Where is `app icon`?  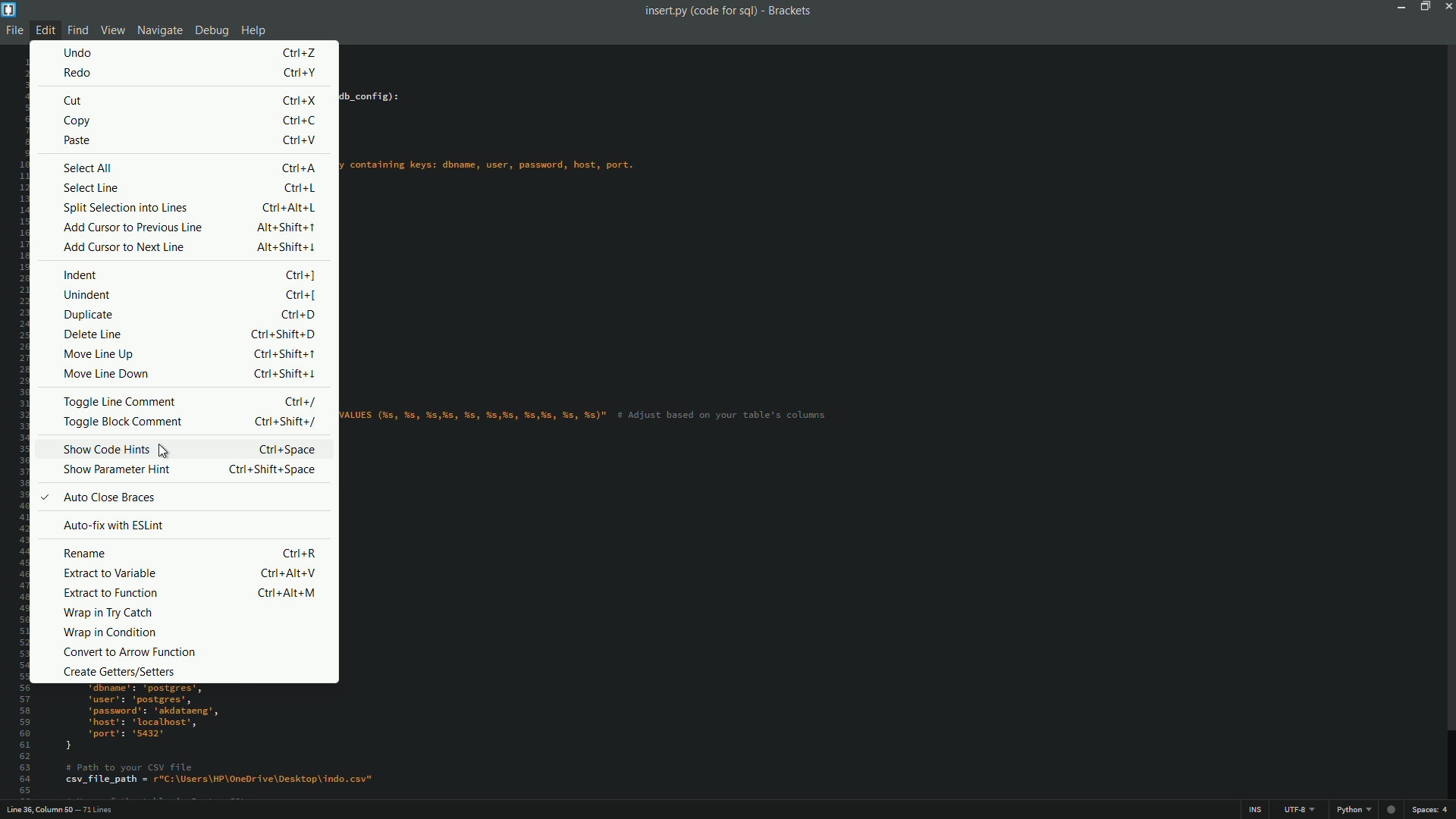 app icon is located at coordinates (9, 9).